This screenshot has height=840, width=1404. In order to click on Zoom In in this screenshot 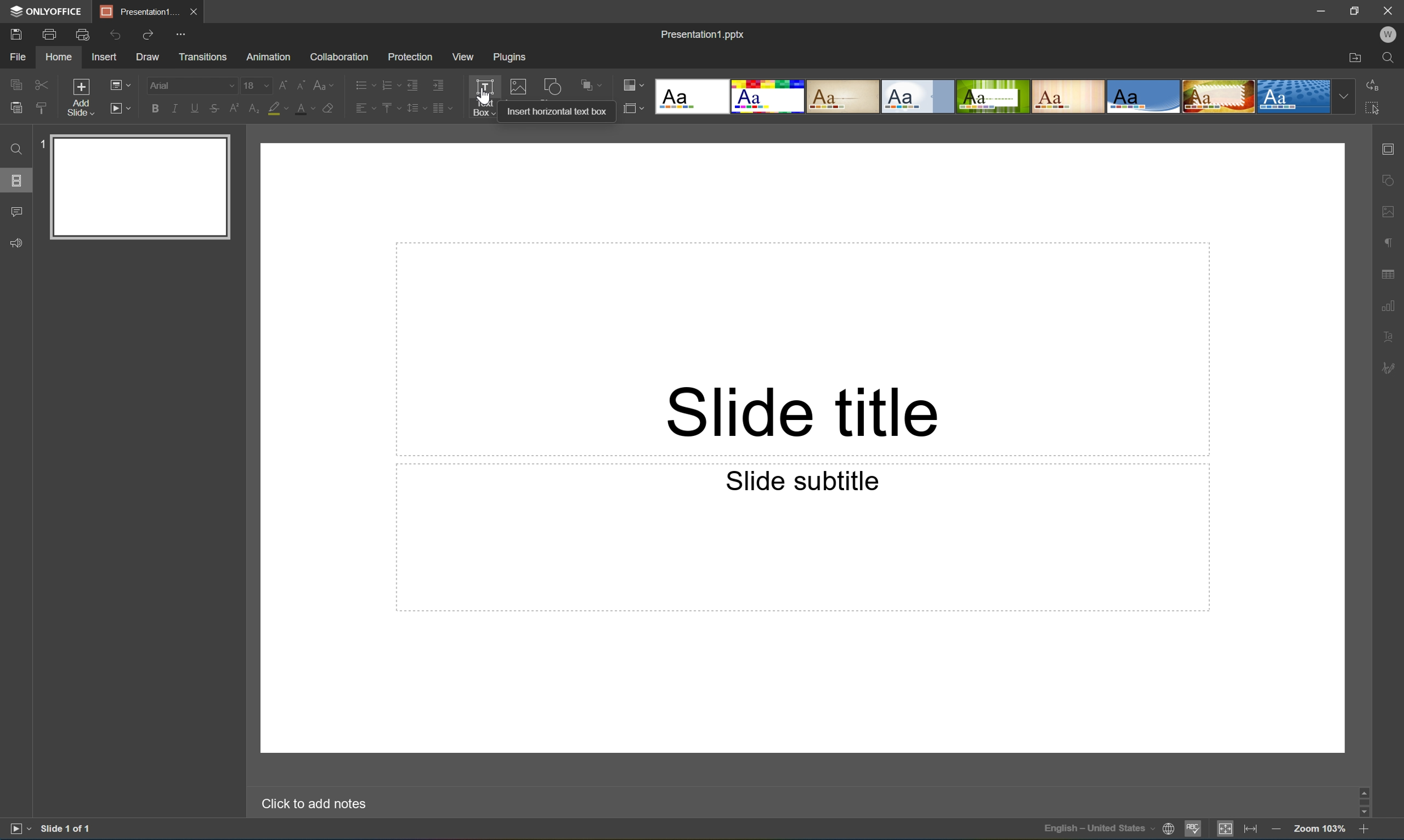, I will do `click(1363, 831)`.